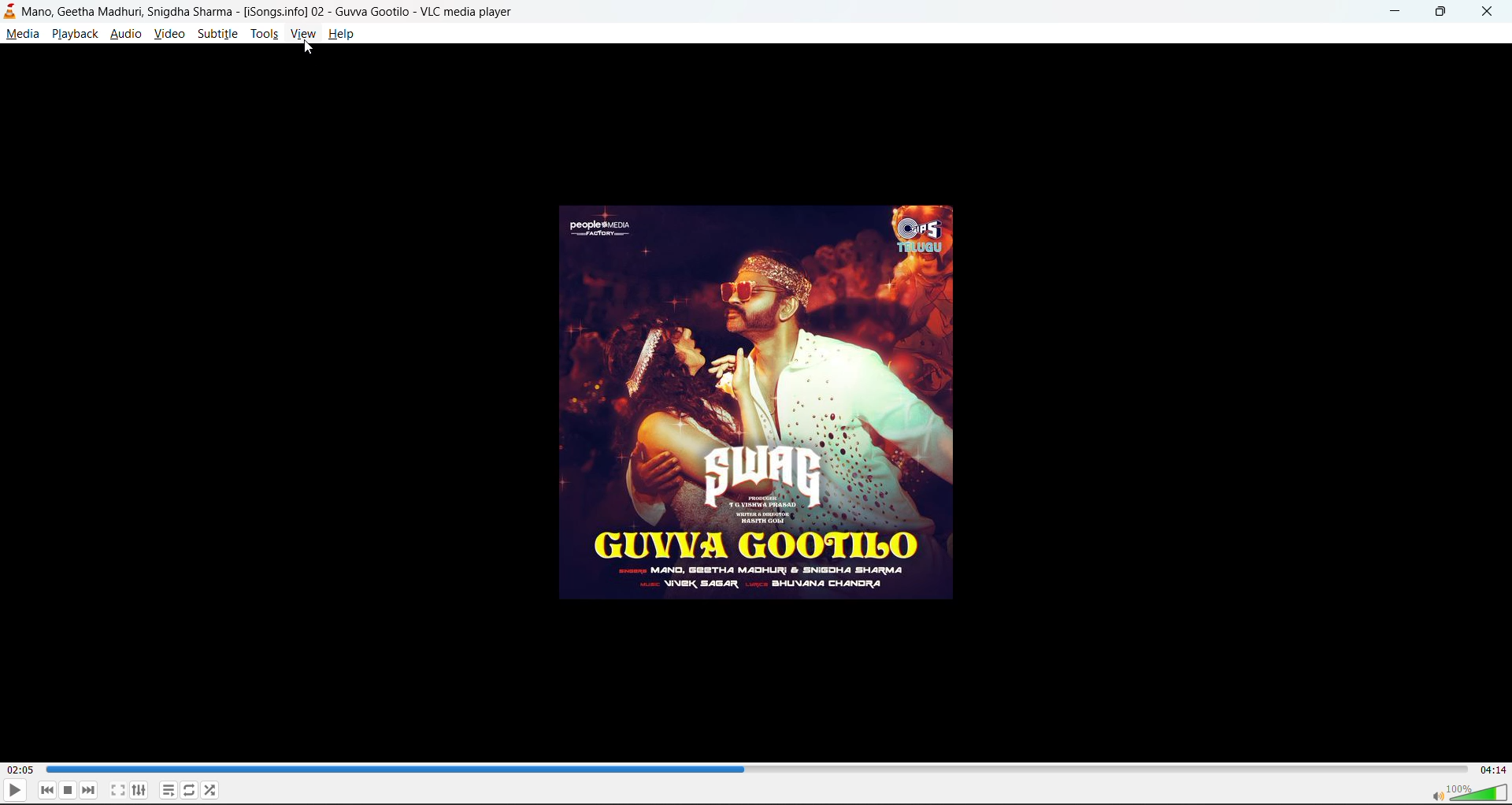  I want to click on subtitle, so click(216, 33).